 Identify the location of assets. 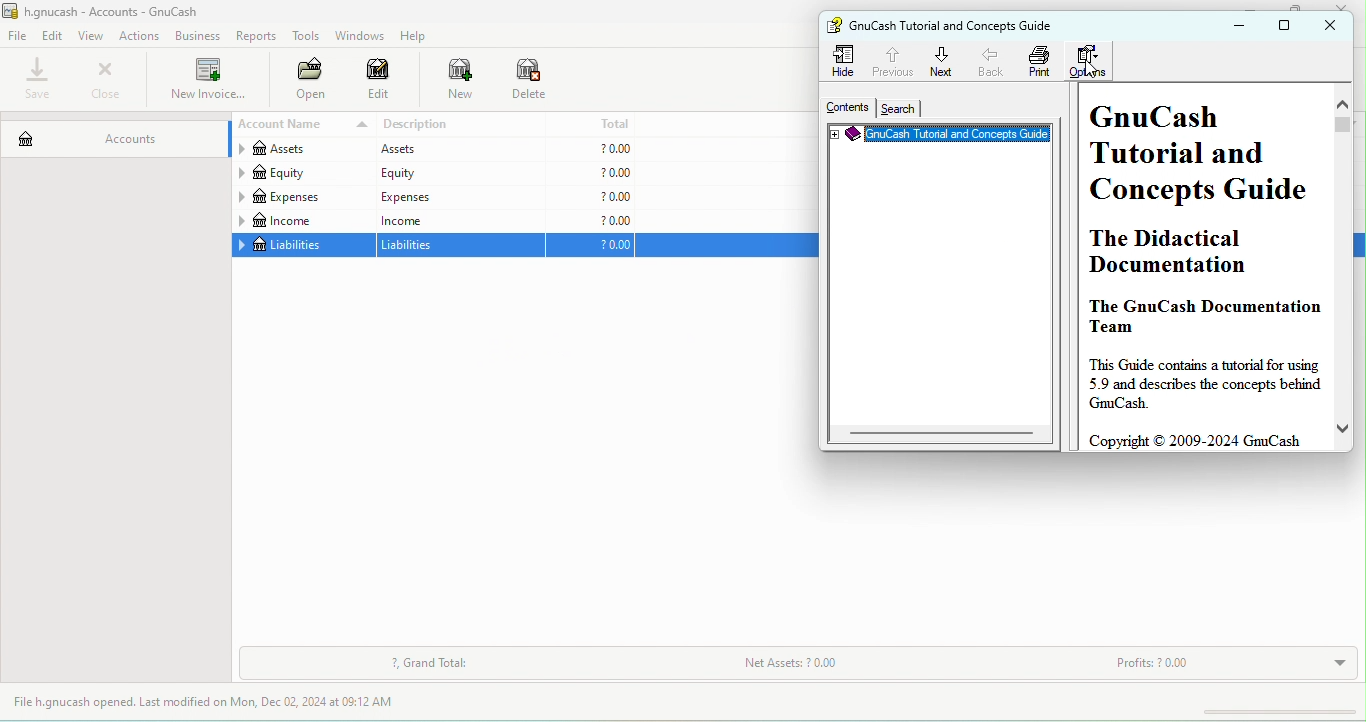
(456, 150).